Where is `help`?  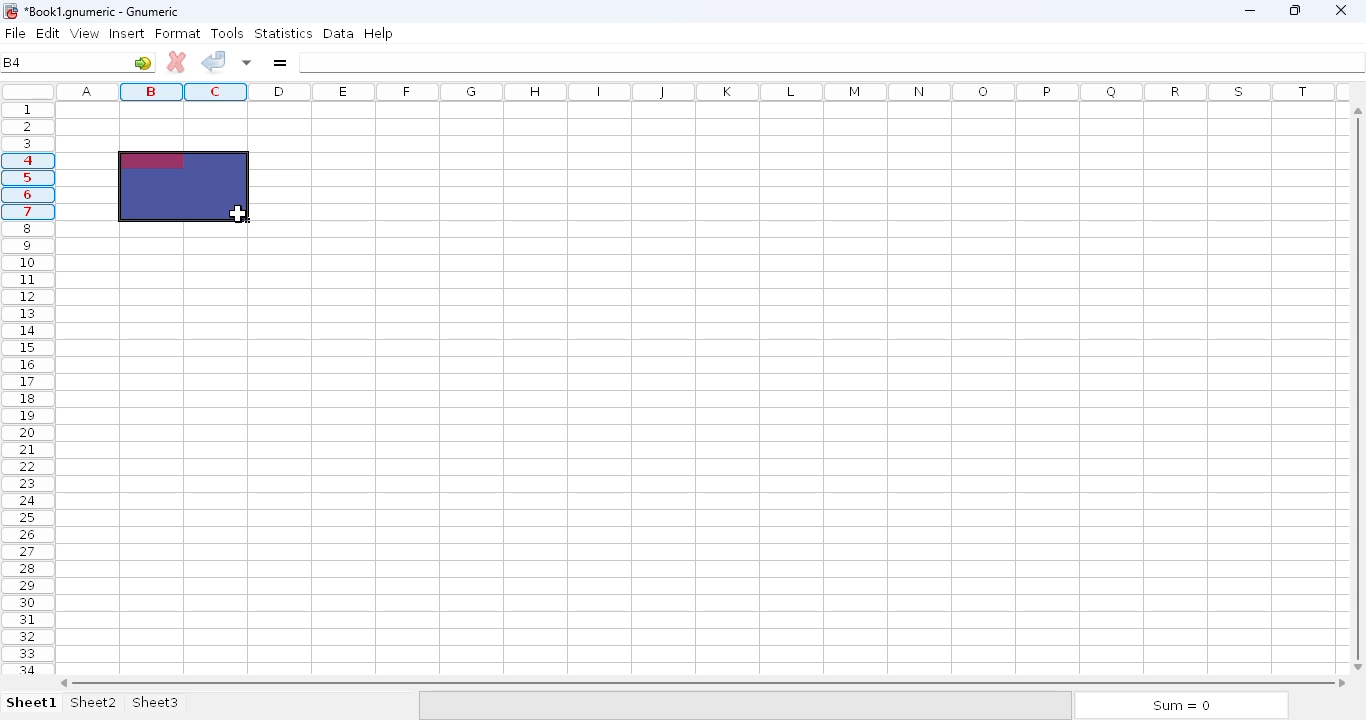
help is located at coordinates (378, 34).